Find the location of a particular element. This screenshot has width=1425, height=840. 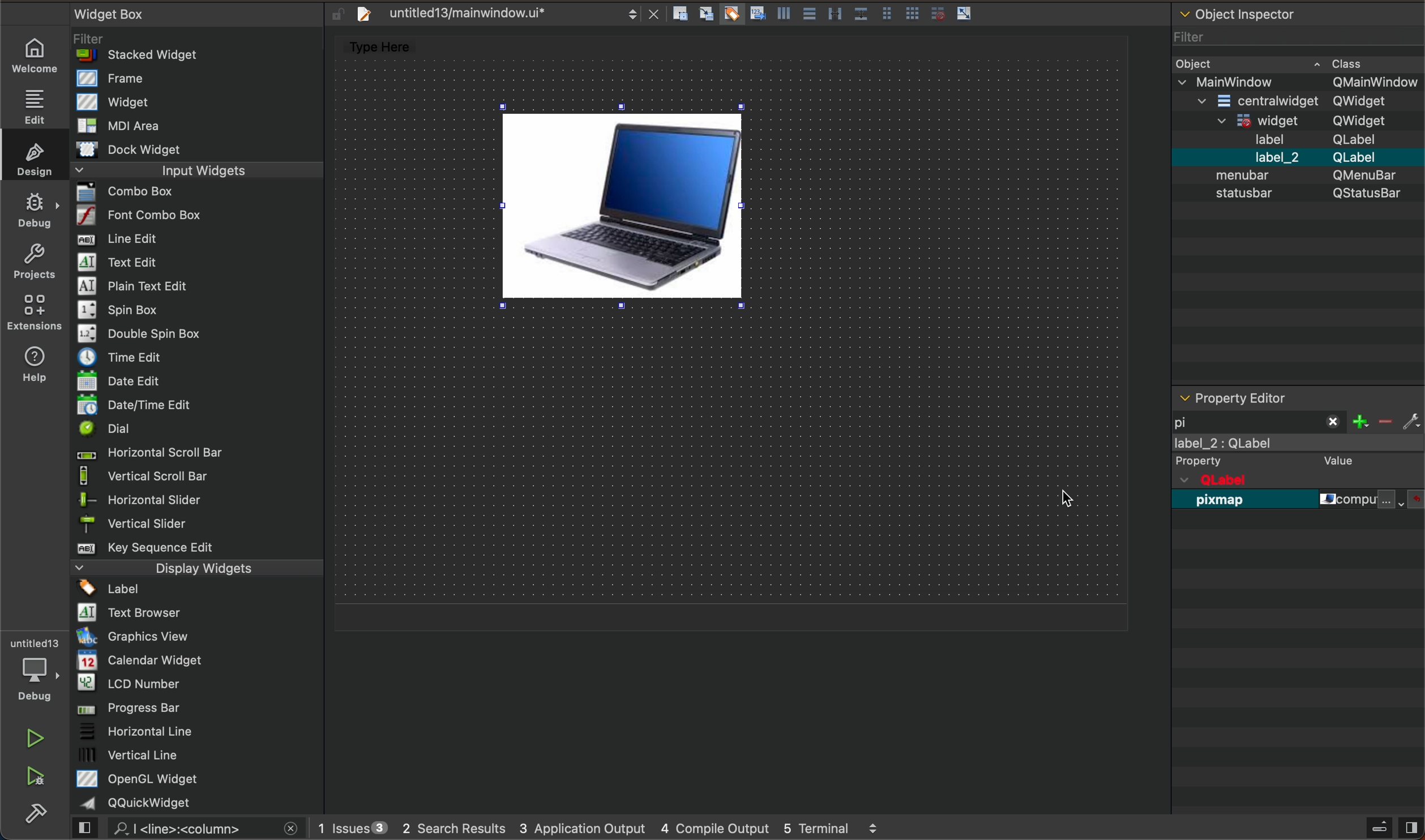

file name is located at coordinates (1366, 500).